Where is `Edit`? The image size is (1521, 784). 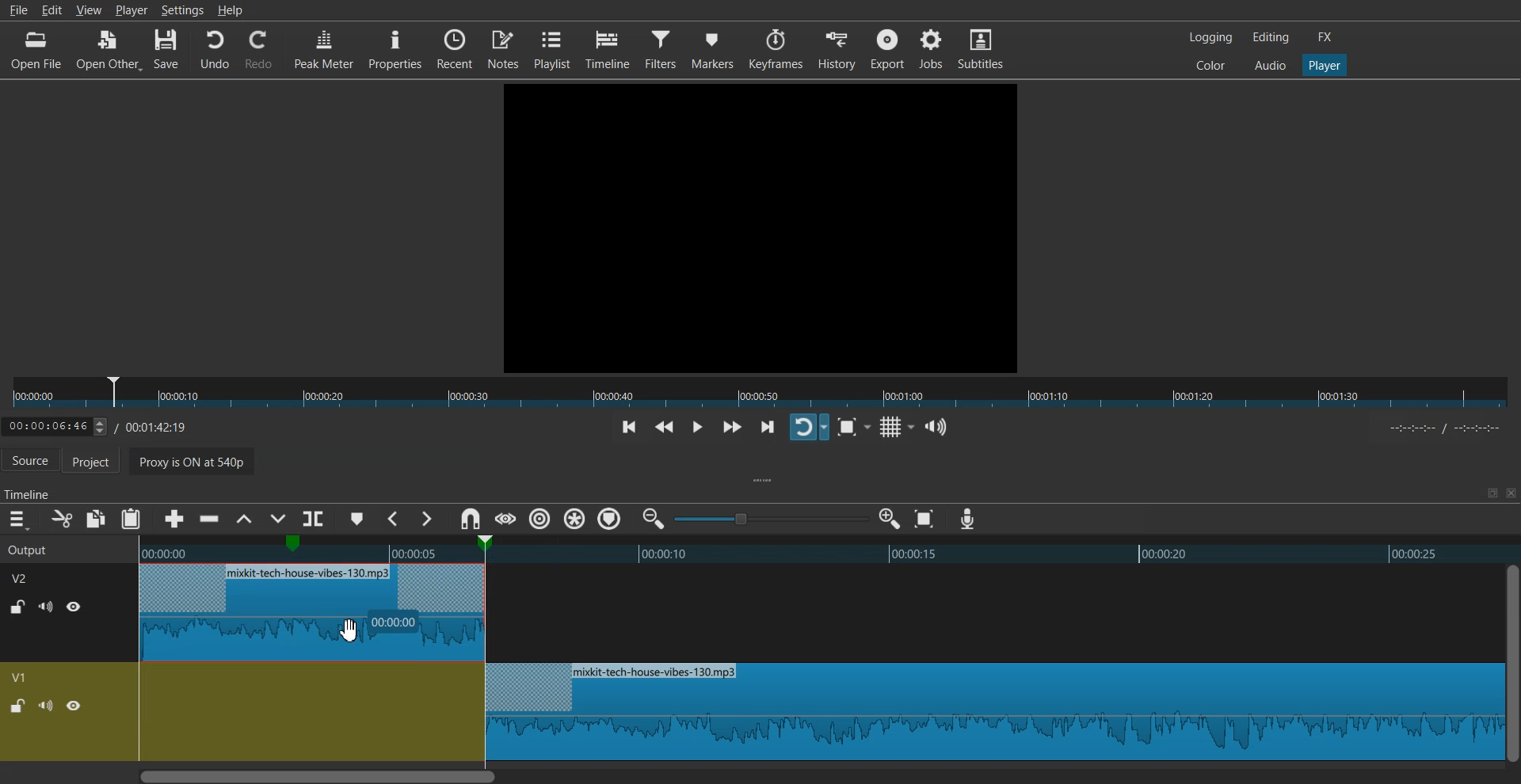
Edit is located at coordinates (55, 10).